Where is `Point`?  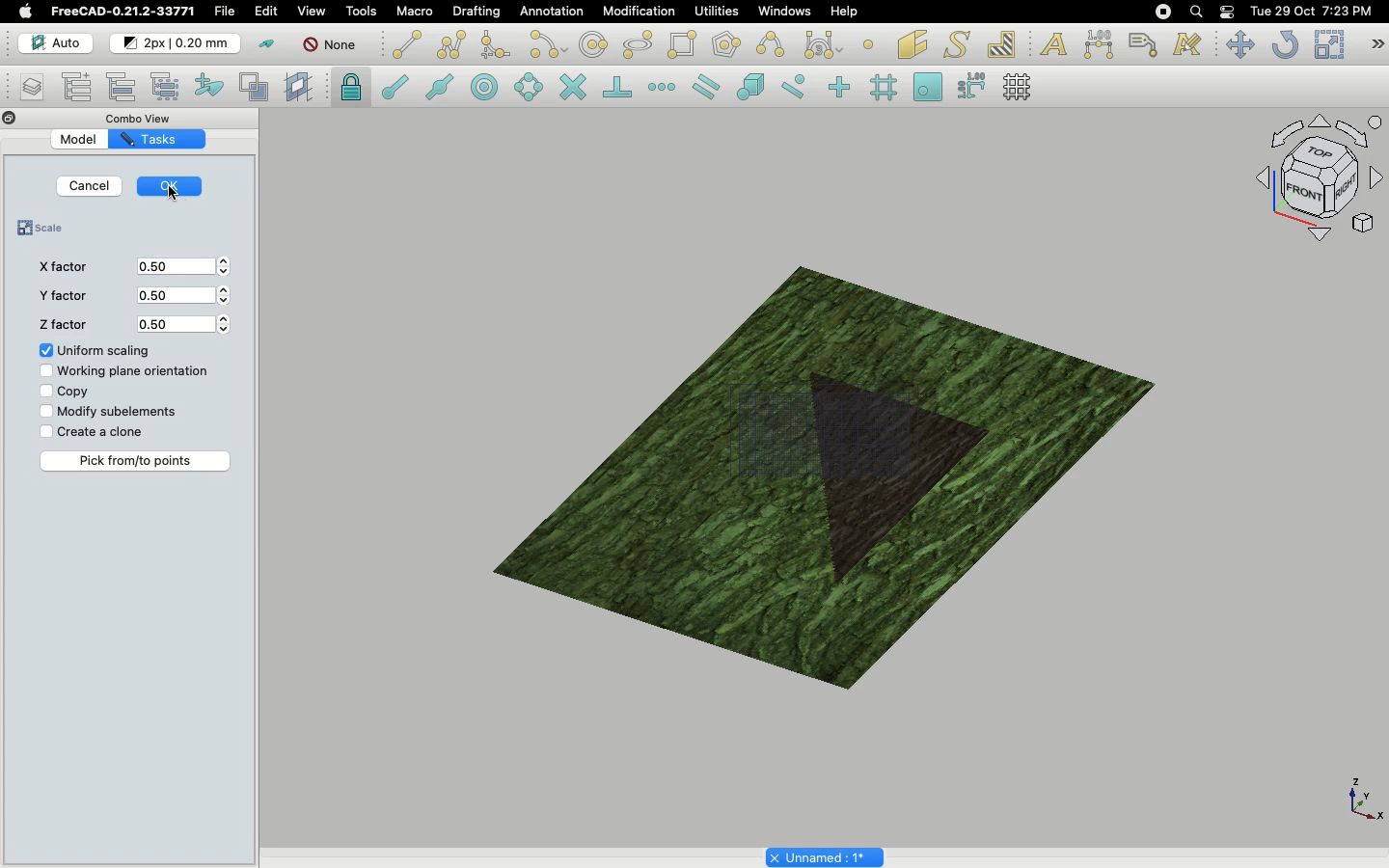
Point is located at coordinates (872, 43).